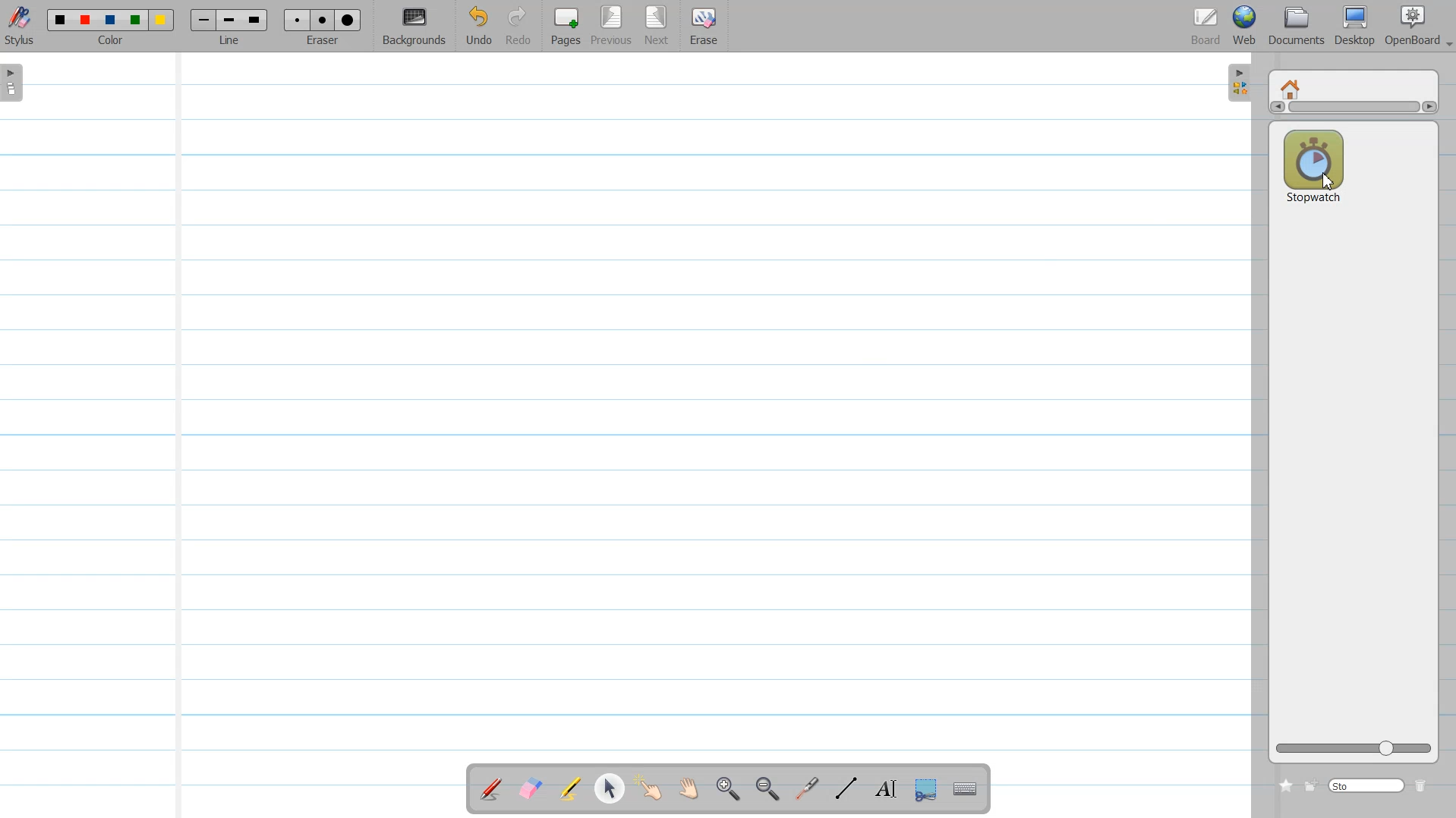  Describe the element at coordinates (1353, 109) in the screenshot. I see `Vertical scroll bar` at that location.